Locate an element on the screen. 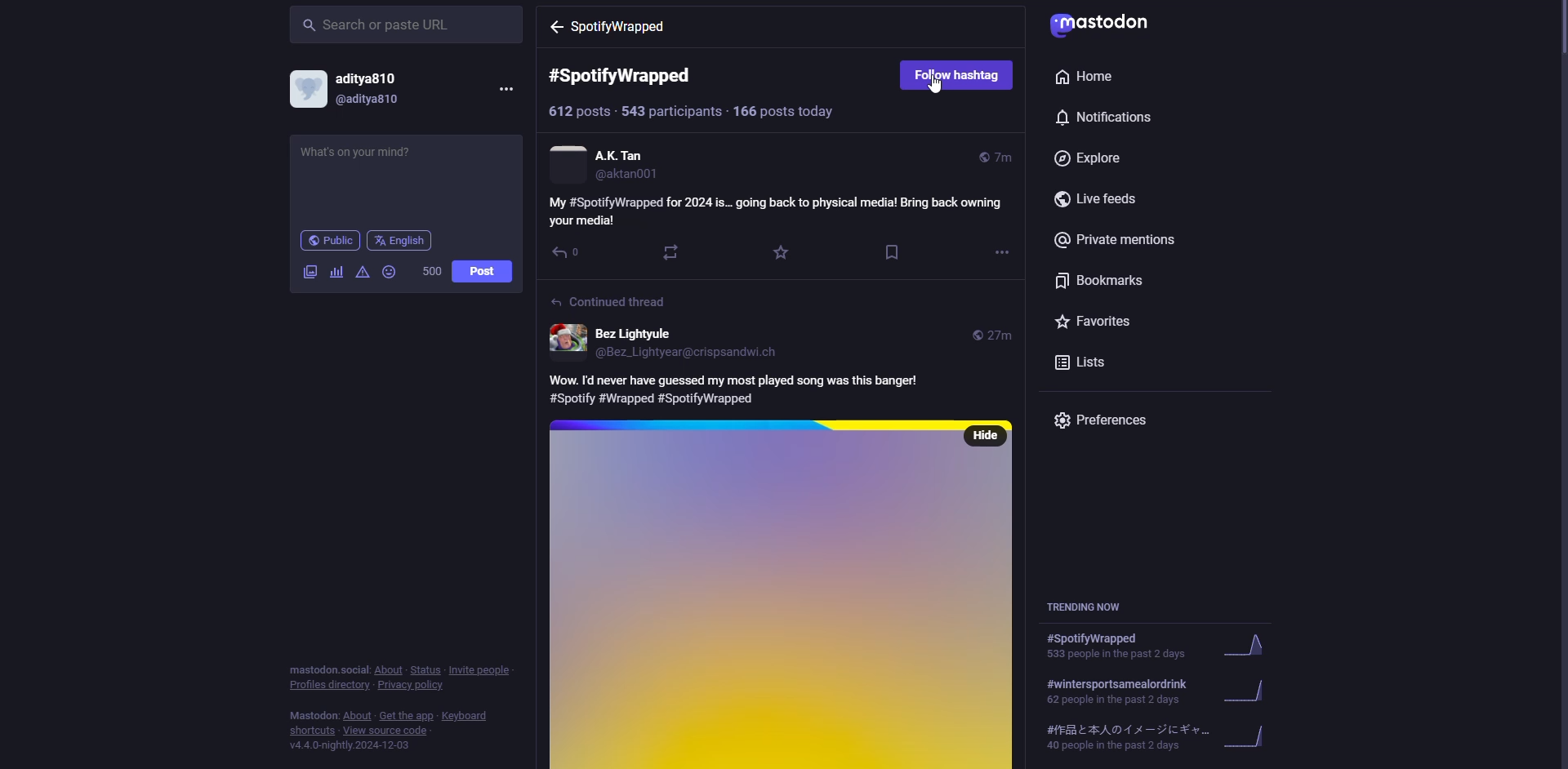  public is located at coordinates (329, 240).